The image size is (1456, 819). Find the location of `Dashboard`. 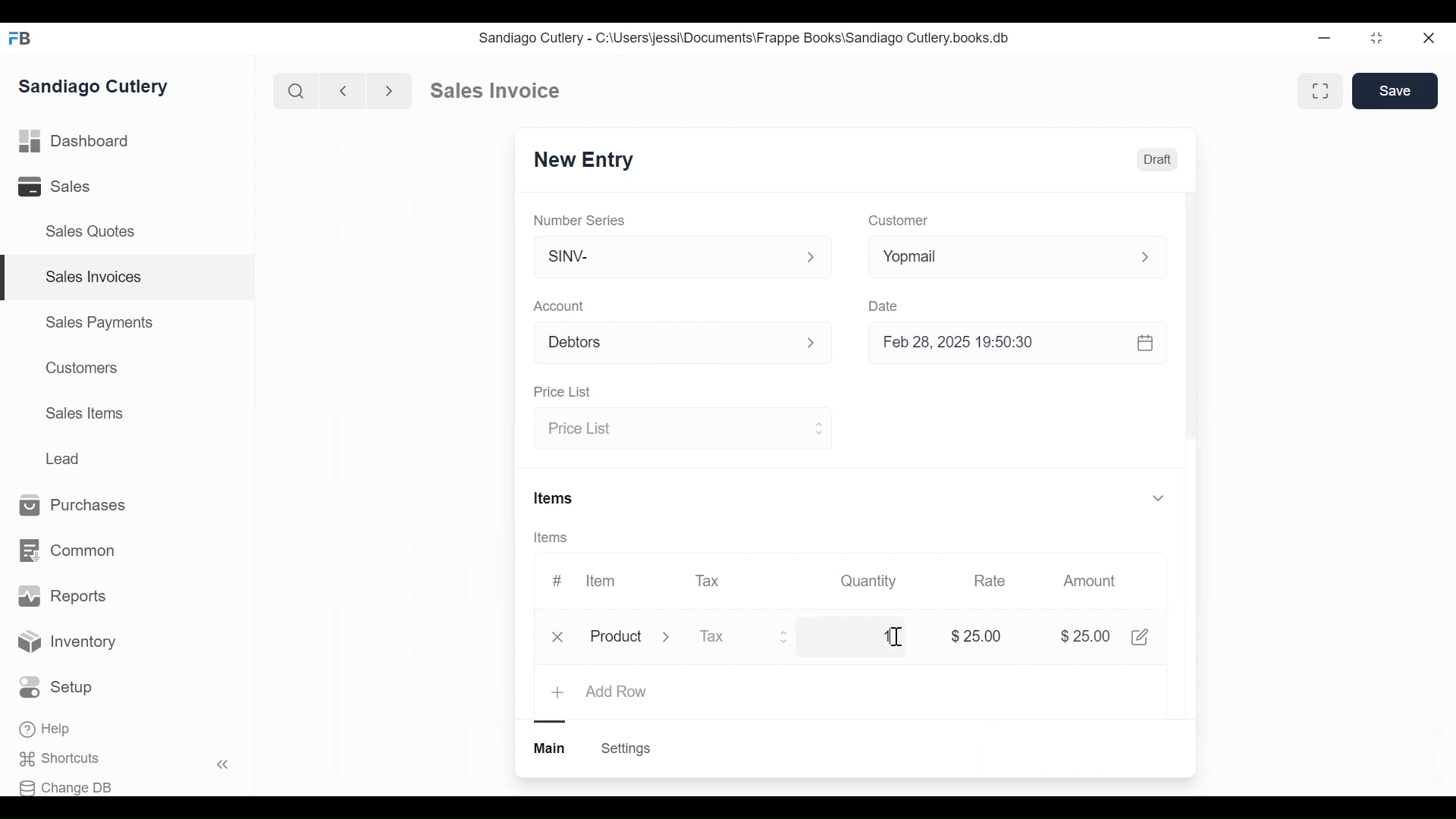

Dashboard is located at coordinates (75, 140).